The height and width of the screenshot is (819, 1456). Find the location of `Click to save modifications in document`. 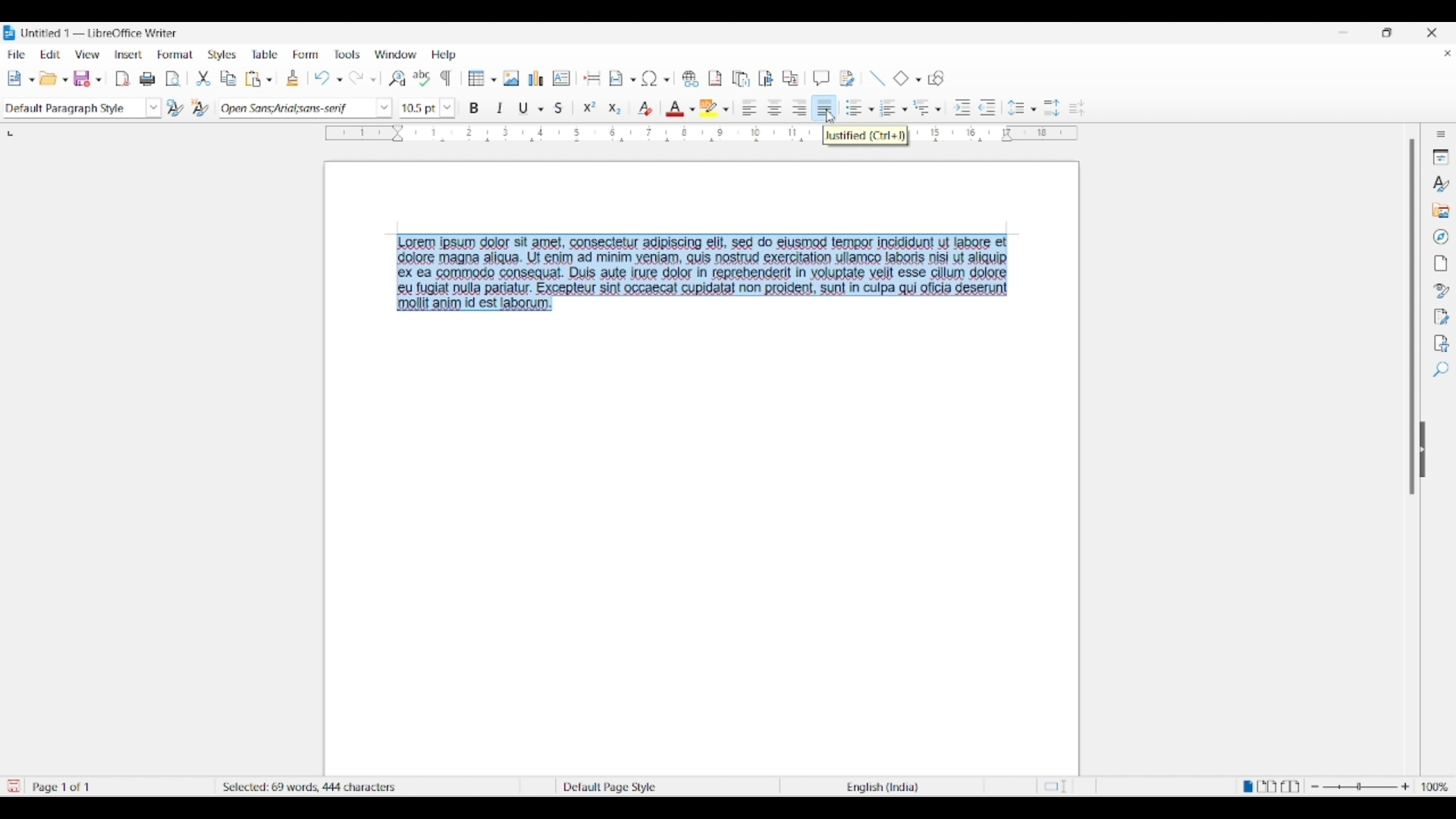

Click to save modifications in document is located at coordinates (12, 786).